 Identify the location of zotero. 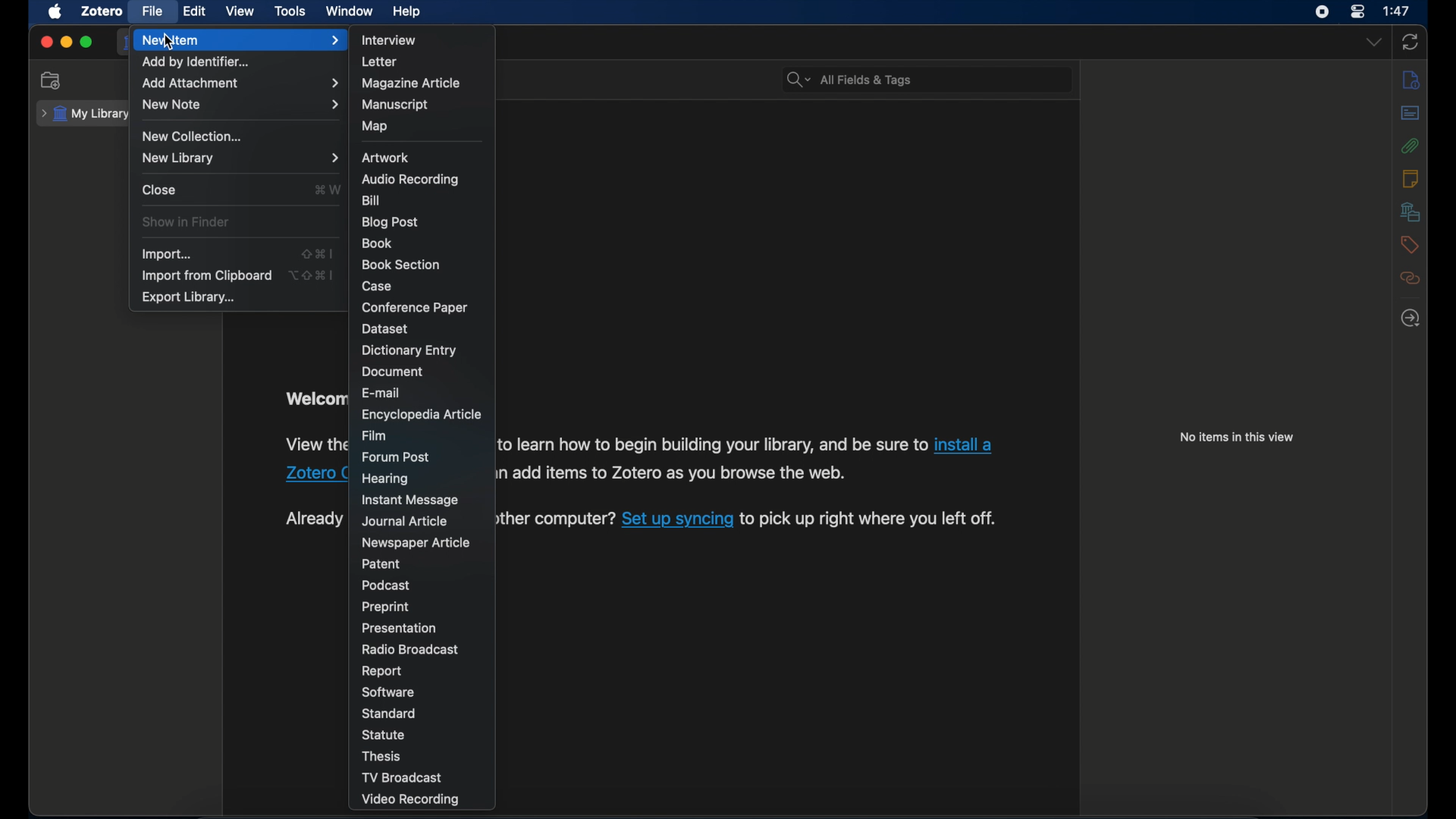
(101, 11).